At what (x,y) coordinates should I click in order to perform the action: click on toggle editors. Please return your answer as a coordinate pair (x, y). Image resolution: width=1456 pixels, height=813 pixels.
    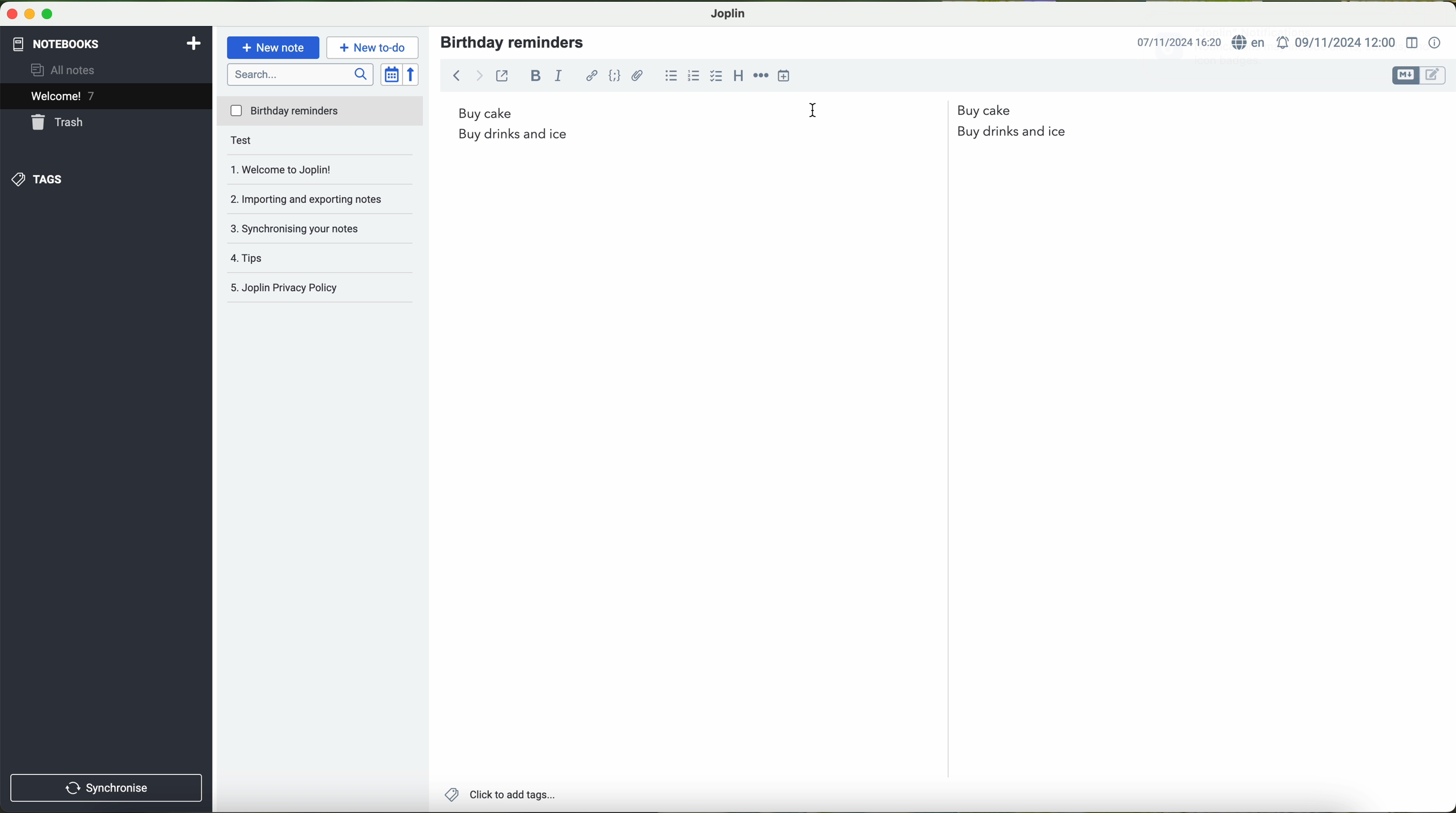
    Looking at the image, I should click on (1420, 76).